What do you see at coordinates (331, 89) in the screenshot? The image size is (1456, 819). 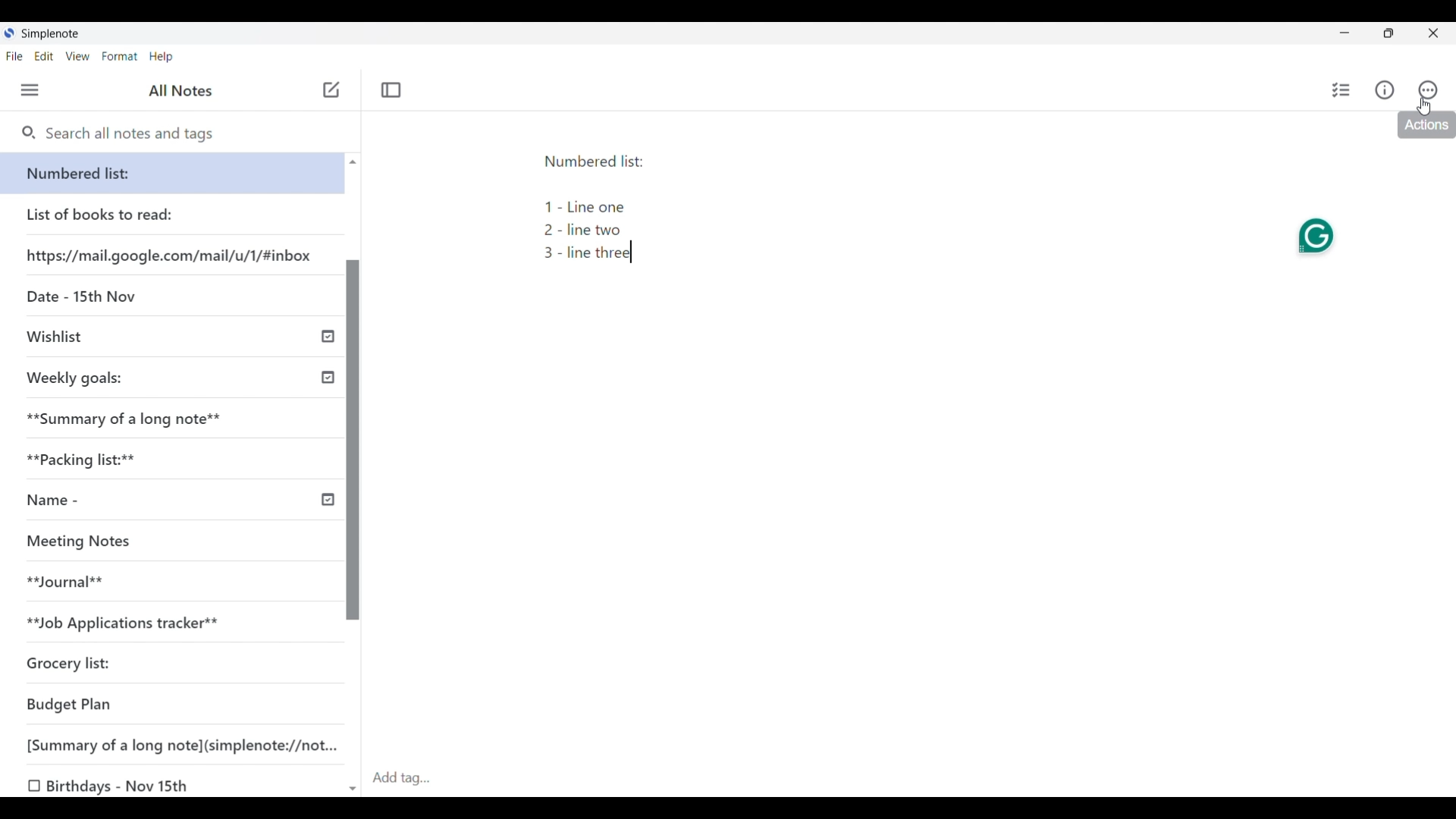 I see `Add note` at bounding box center [331, 89].